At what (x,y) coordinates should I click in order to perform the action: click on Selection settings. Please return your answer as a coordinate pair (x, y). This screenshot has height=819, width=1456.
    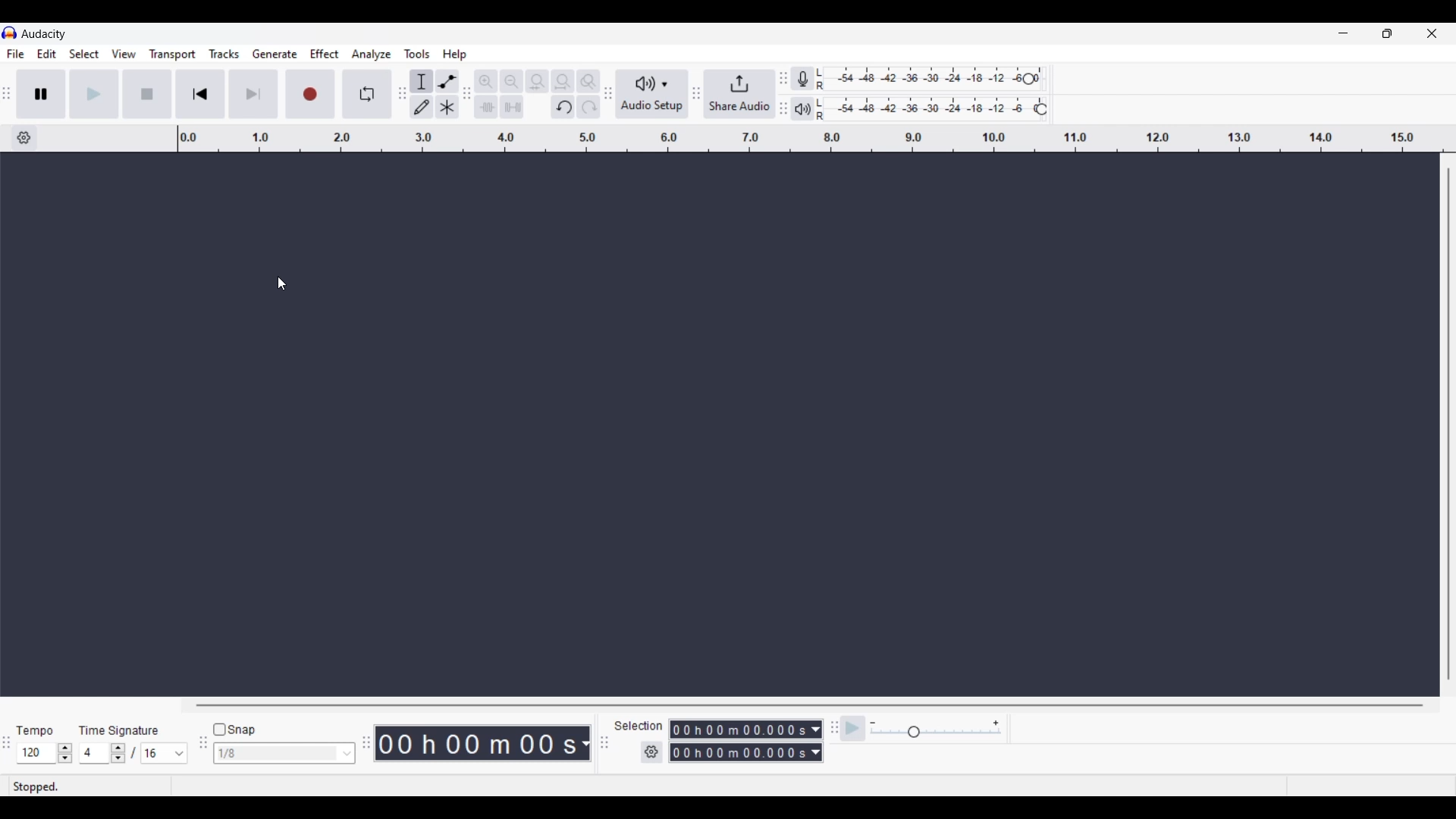
    Looking at the image, I should click on (652, 752).